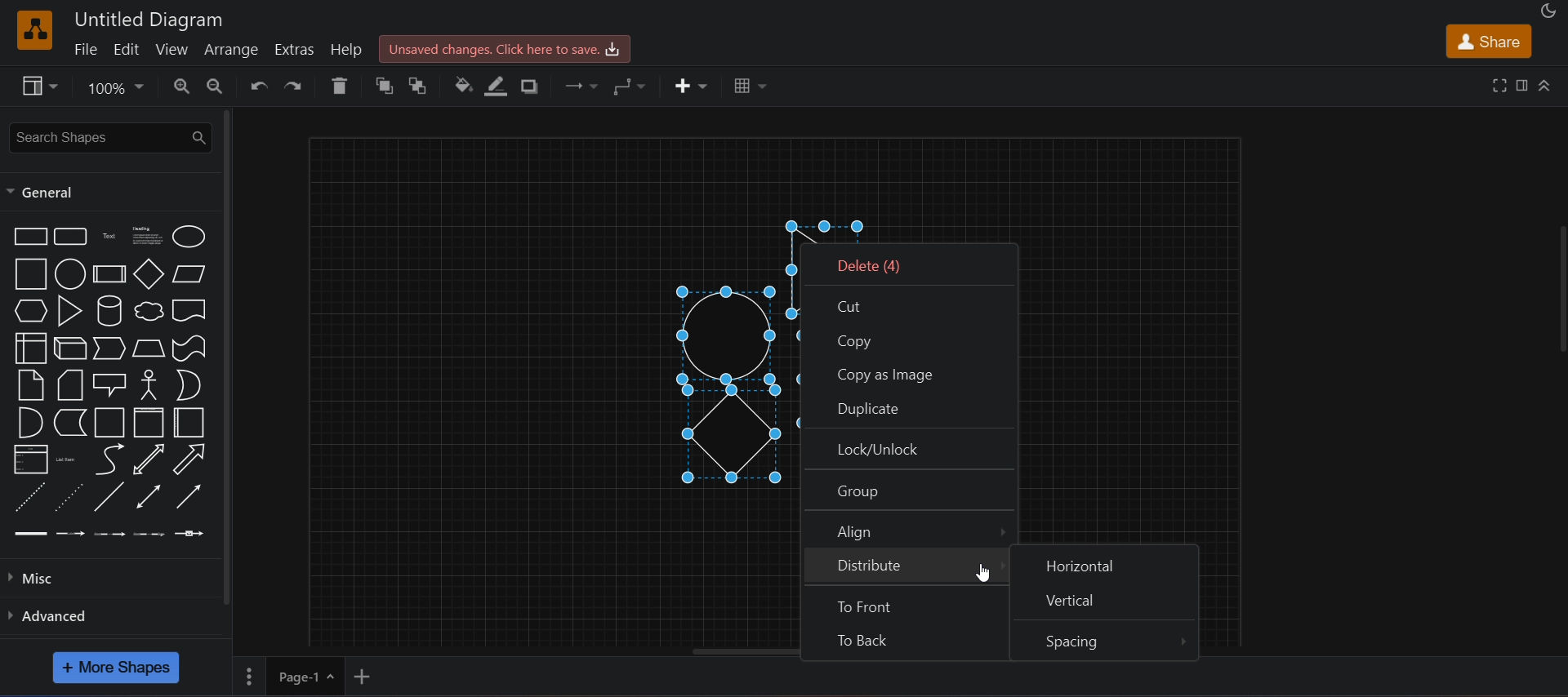 The height and width of the screenshot is (697, 1568). I want to click on view, so click(173, 50).